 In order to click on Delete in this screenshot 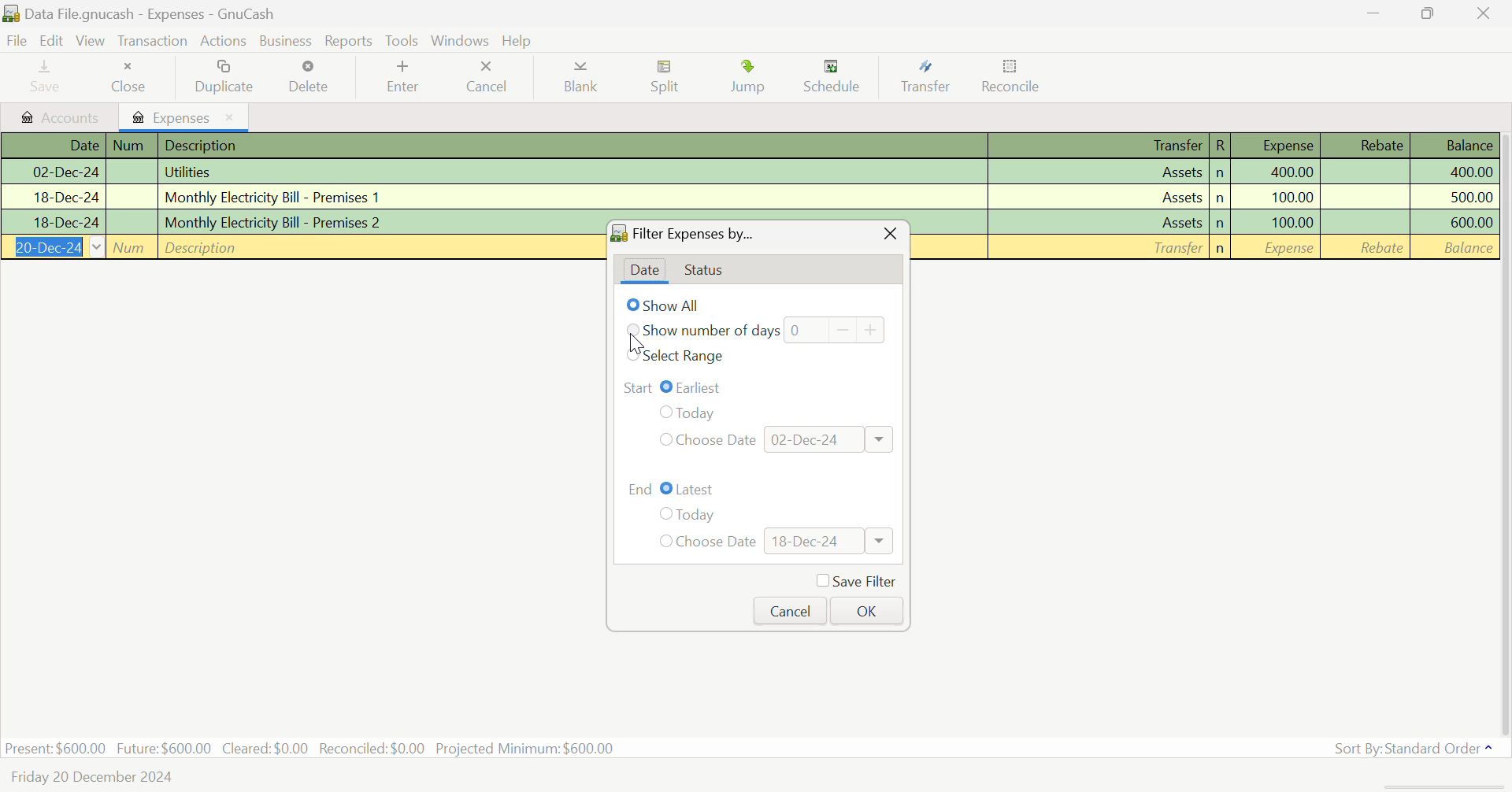, I will do `click(315, 76)`.